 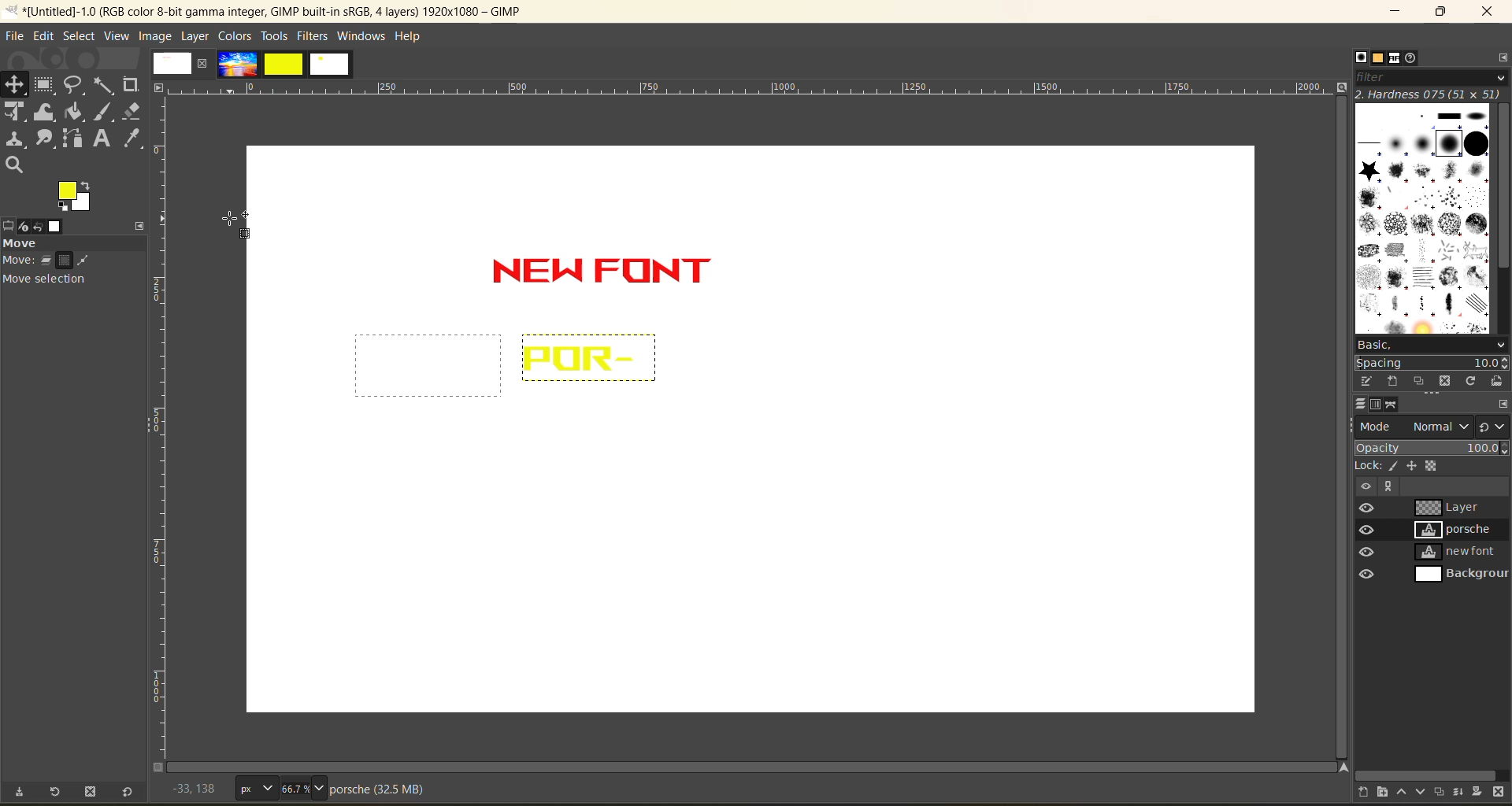 What do you see at coordinates (104, 85) in the screenshot?
I see `fuzzy text tool` at bounding box center [104, 85].